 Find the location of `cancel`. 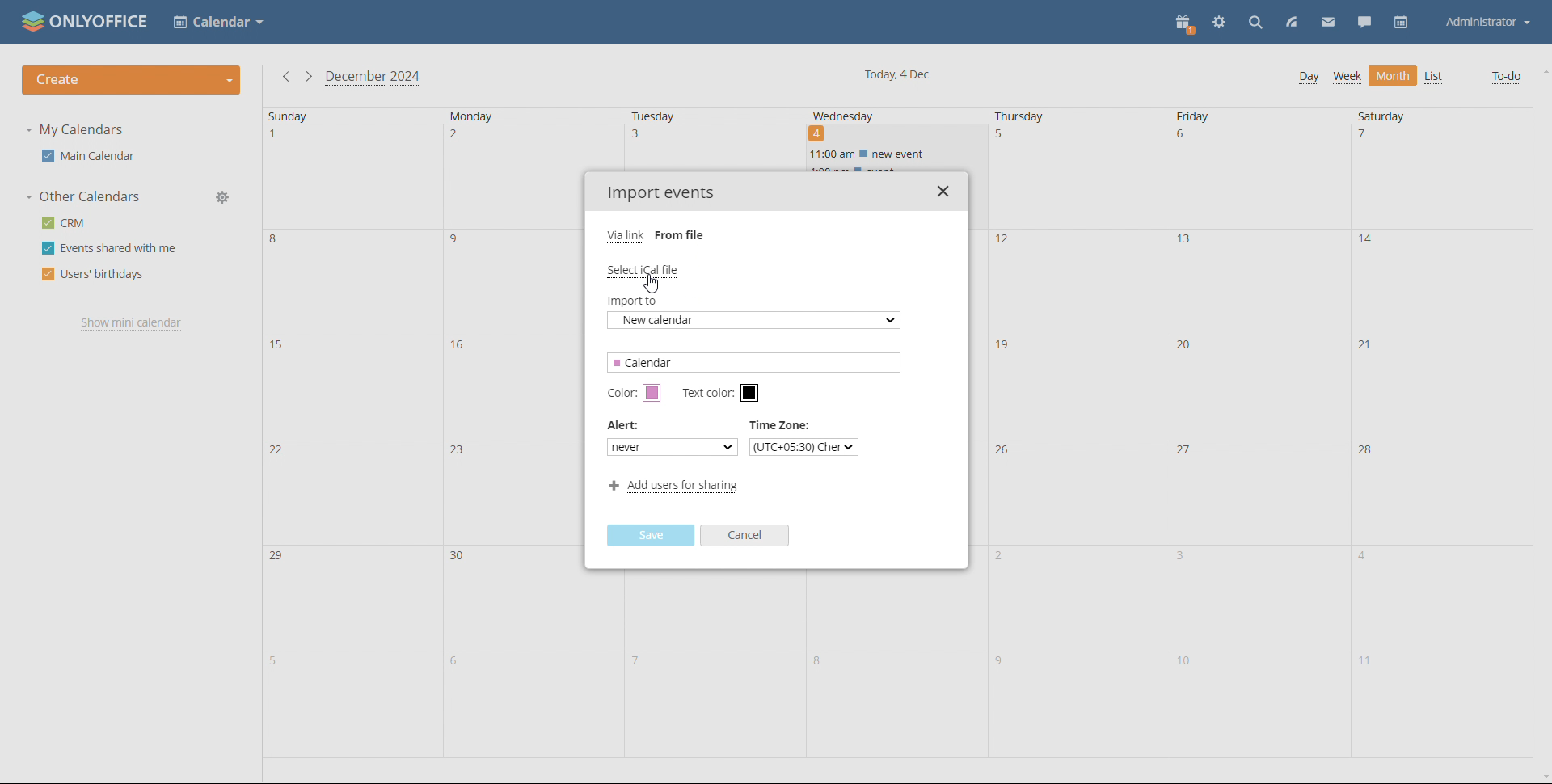

cancel is located at coordinates (746, 534).